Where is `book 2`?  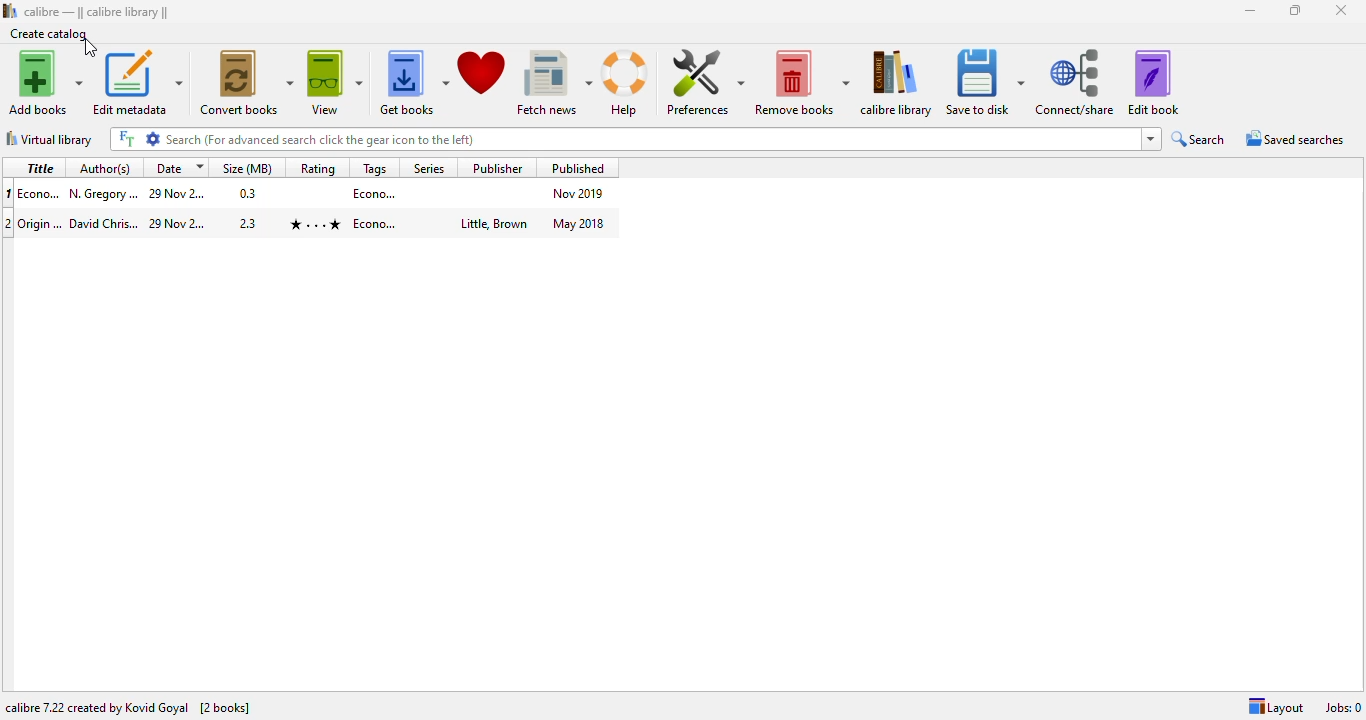
book 2 is located at coordinates (314, 223).